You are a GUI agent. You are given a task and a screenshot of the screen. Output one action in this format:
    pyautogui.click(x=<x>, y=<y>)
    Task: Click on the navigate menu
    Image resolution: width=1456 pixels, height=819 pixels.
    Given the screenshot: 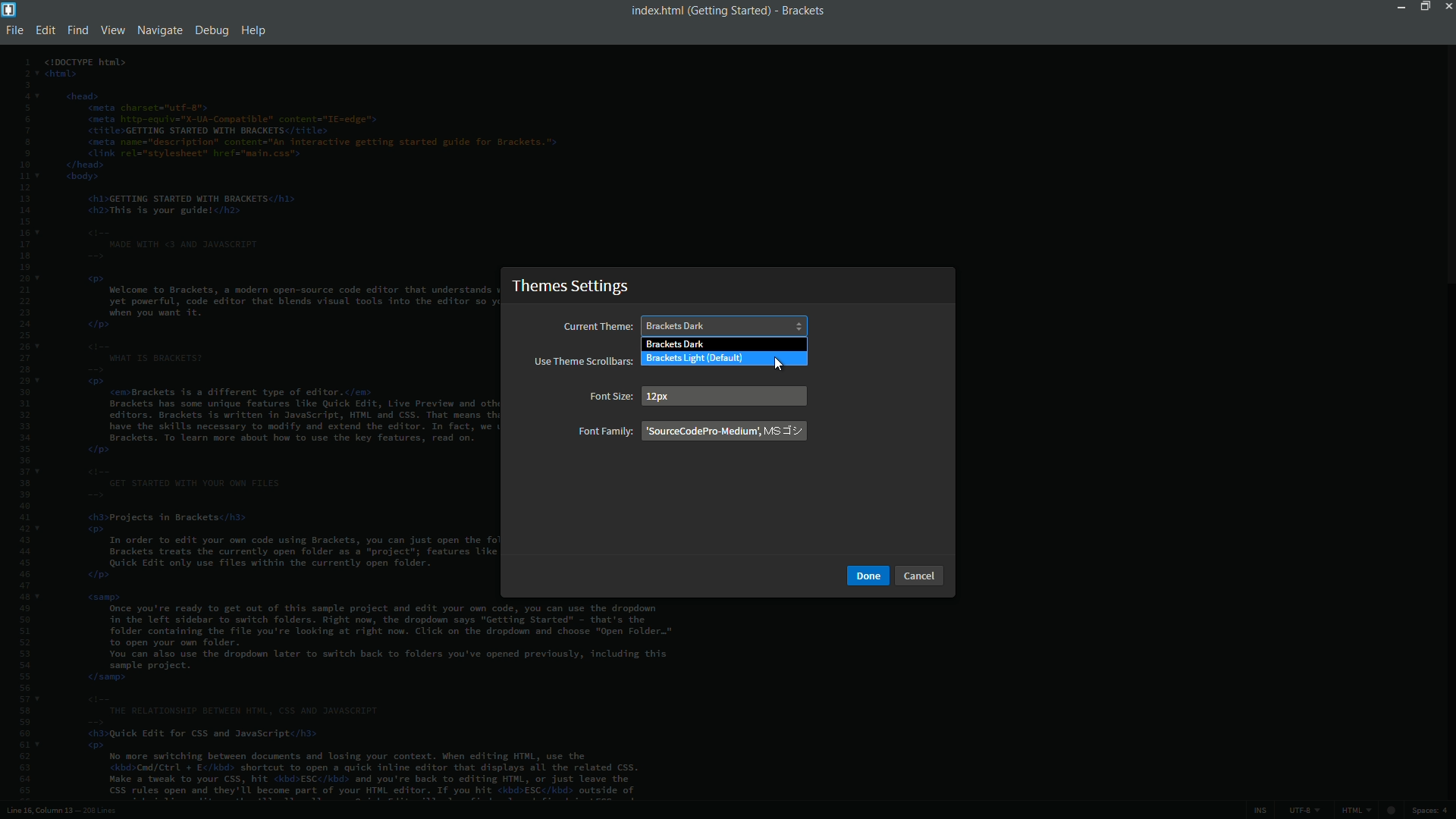 What is the action you would take?
    pyautogui.click(x=158, y=30)
    